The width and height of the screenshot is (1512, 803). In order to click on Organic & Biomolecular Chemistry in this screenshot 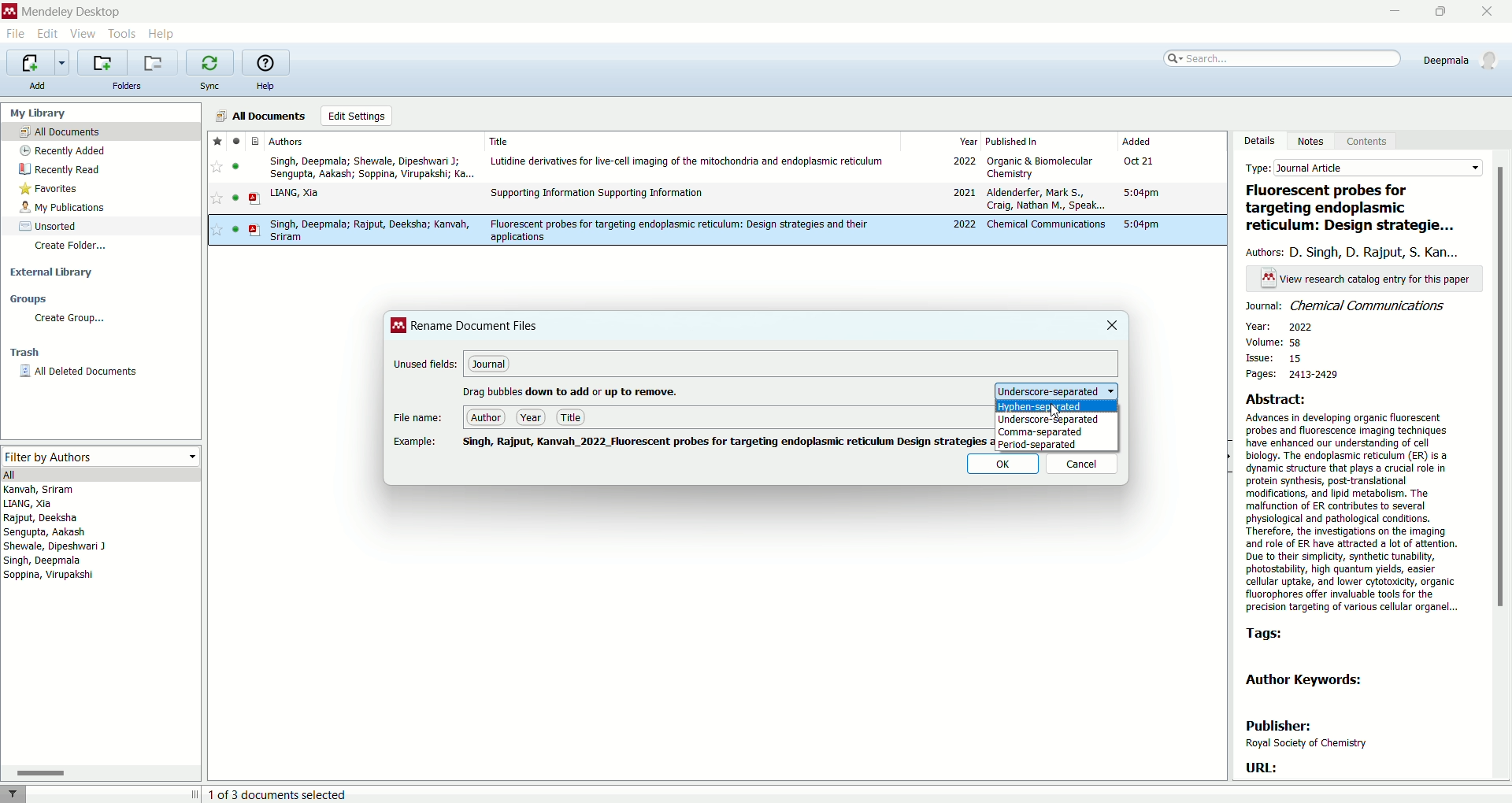, I will do `click(1041, 167)`.